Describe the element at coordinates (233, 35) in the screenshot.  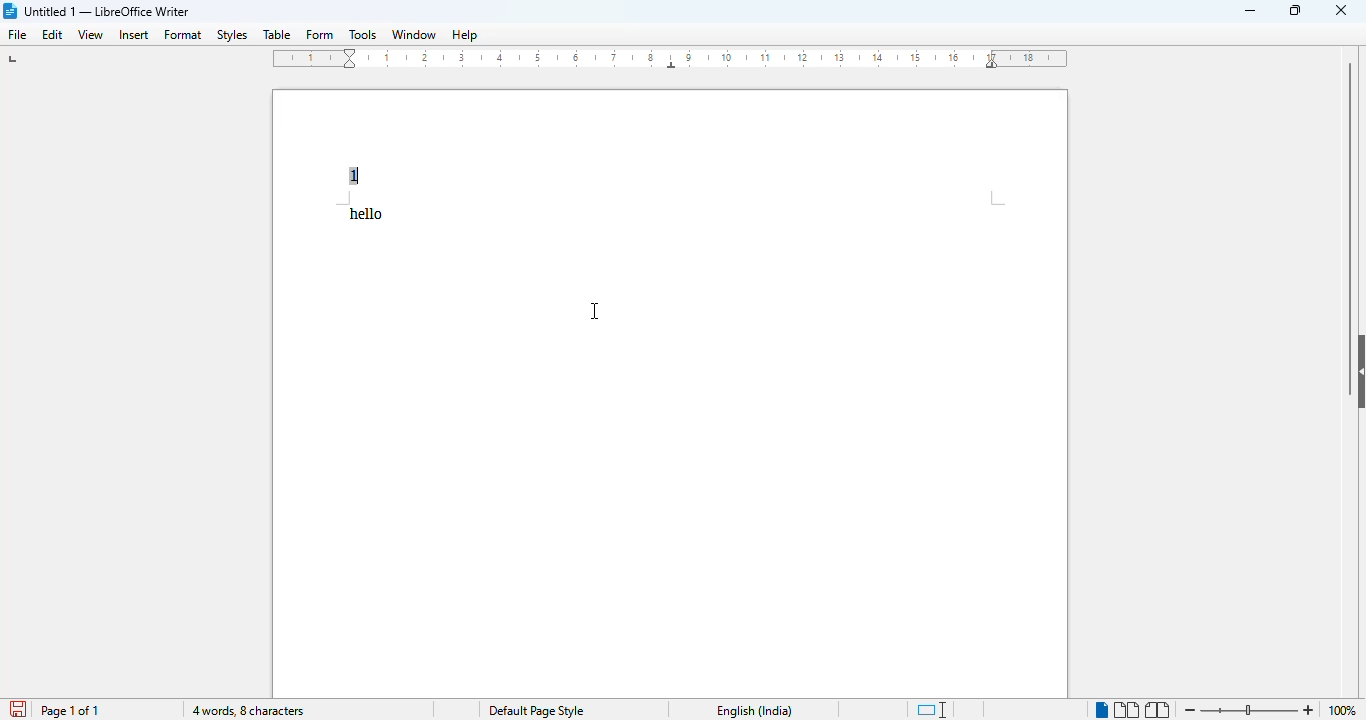
I see `styles` at that location.